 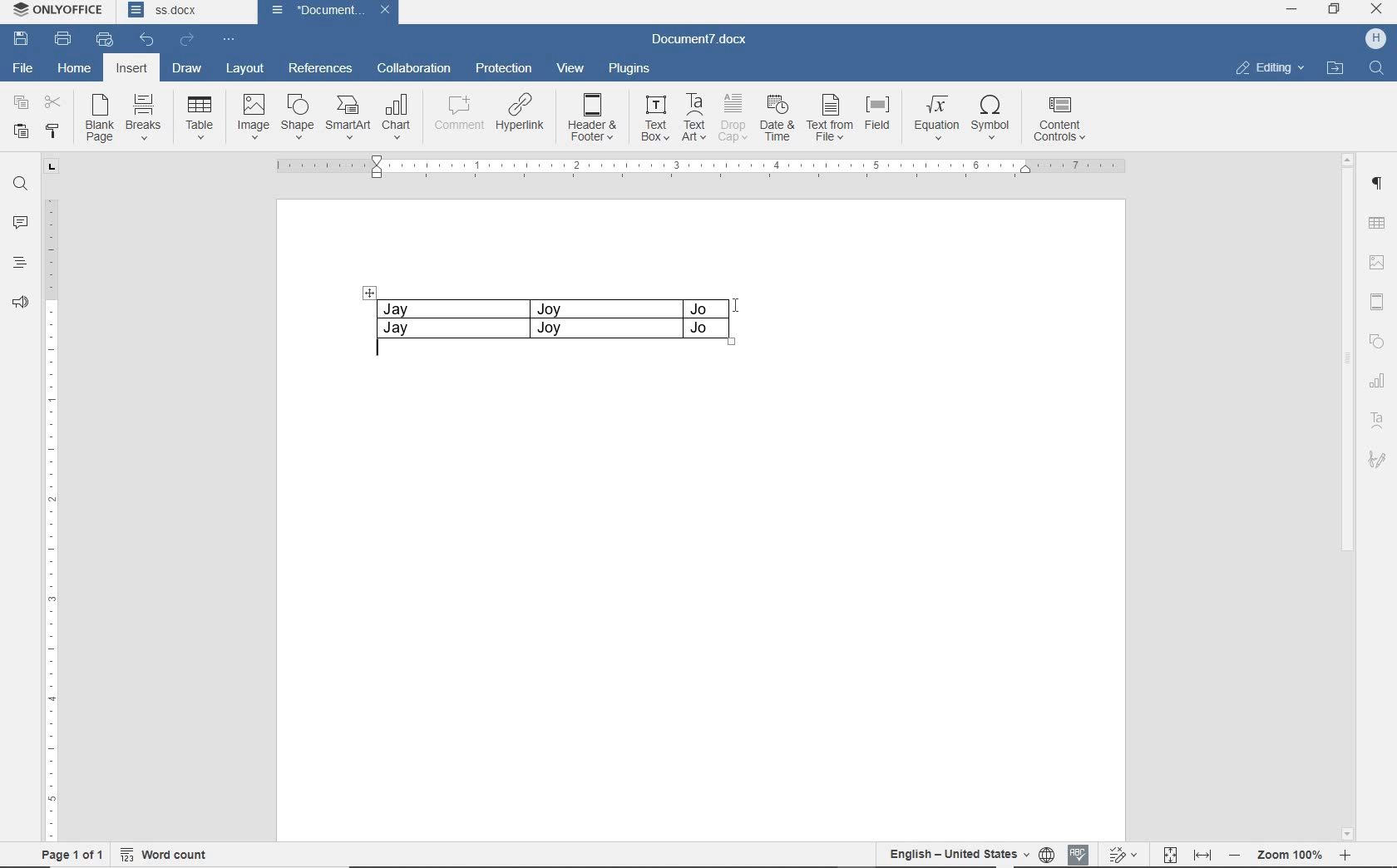 I want to click on PRINT, so click(x=62, y=40).